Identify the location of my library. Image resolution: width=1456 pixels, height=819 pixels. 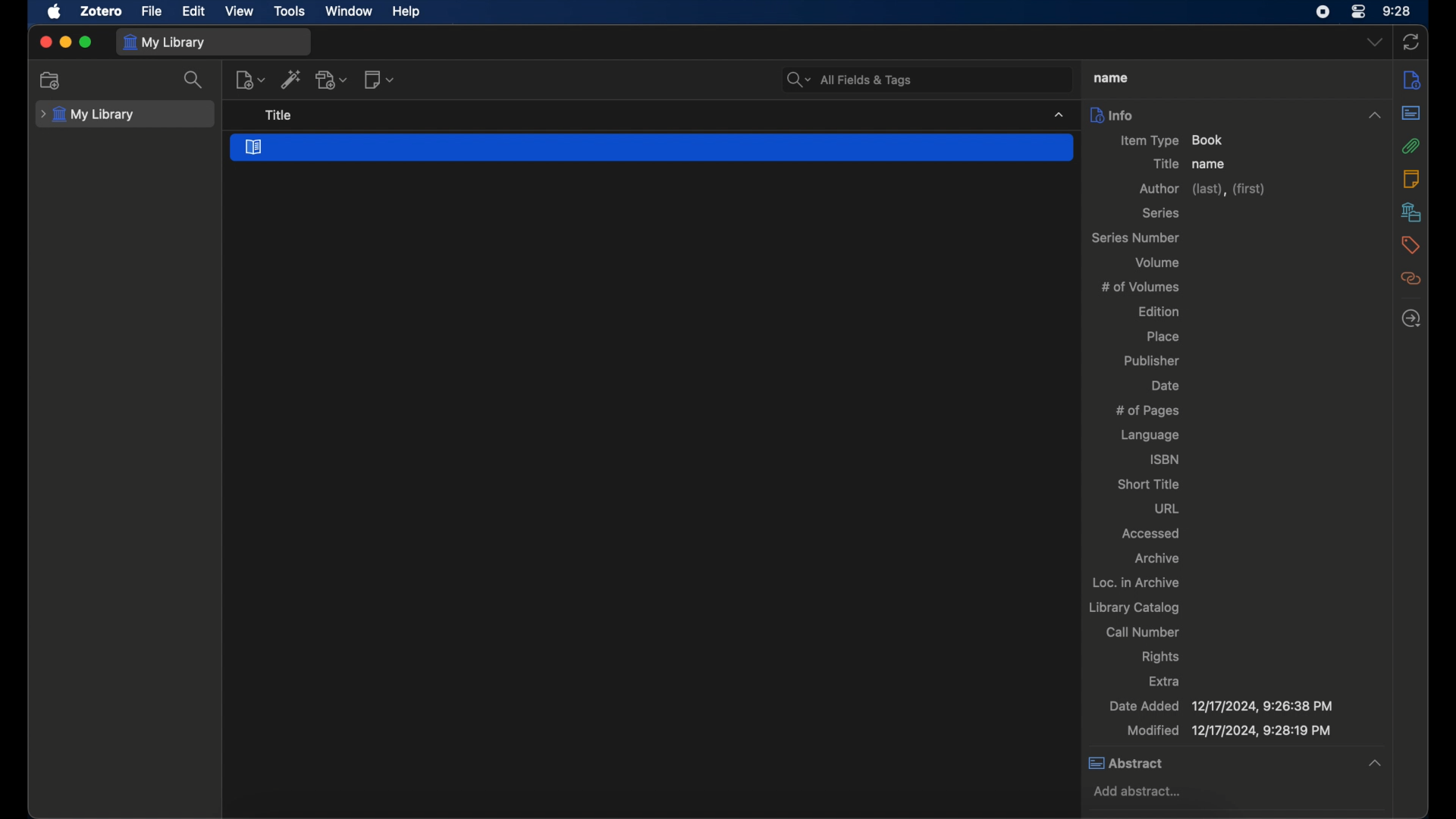
(164, 42).